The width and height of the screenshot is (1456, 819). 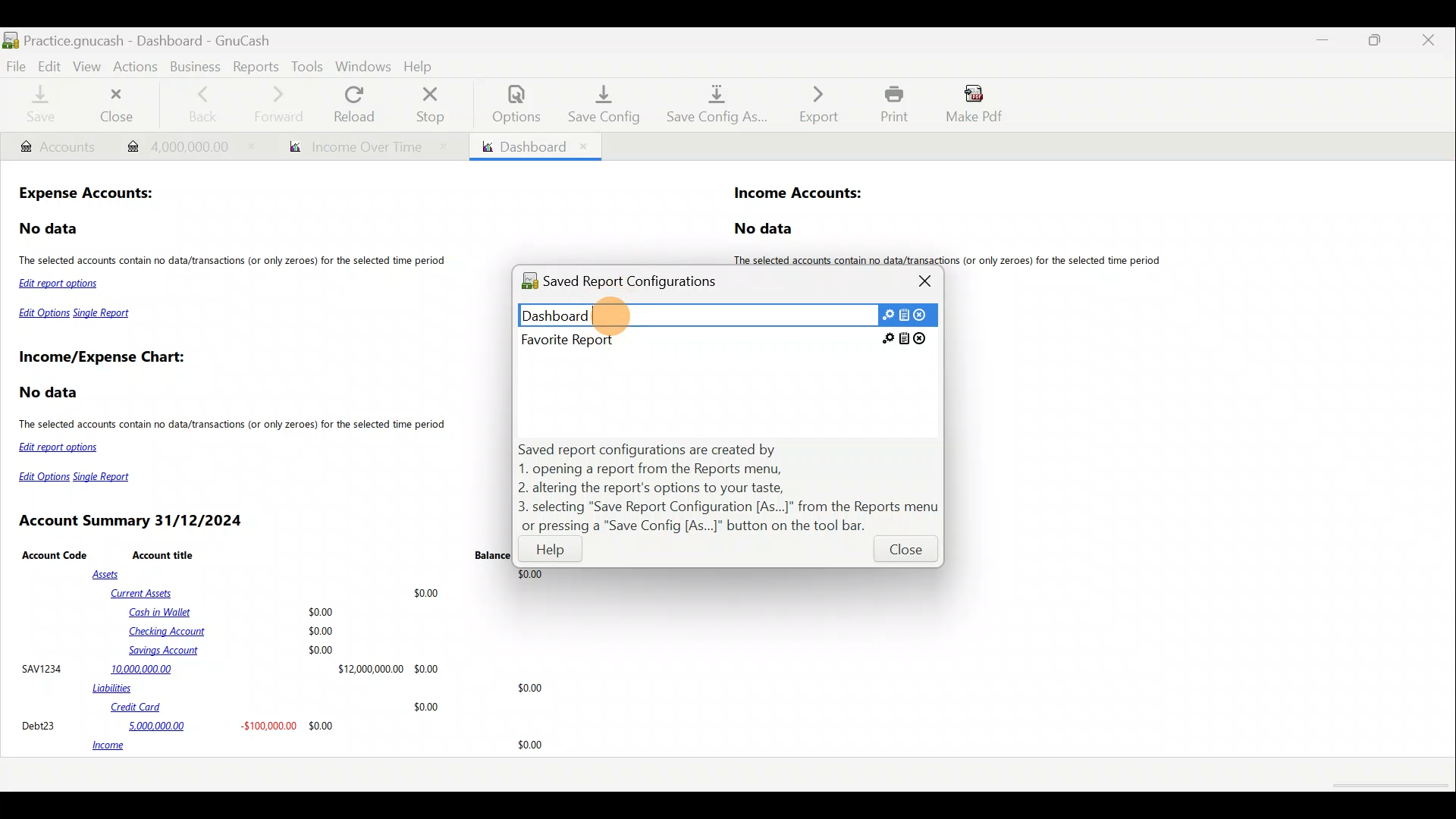 What do you see at coordinates (230, 668) in the screenshot?
I see `SAVI234 10,000,000.00 $12,000,00000 $0.00` at bounding box center [230, 668].